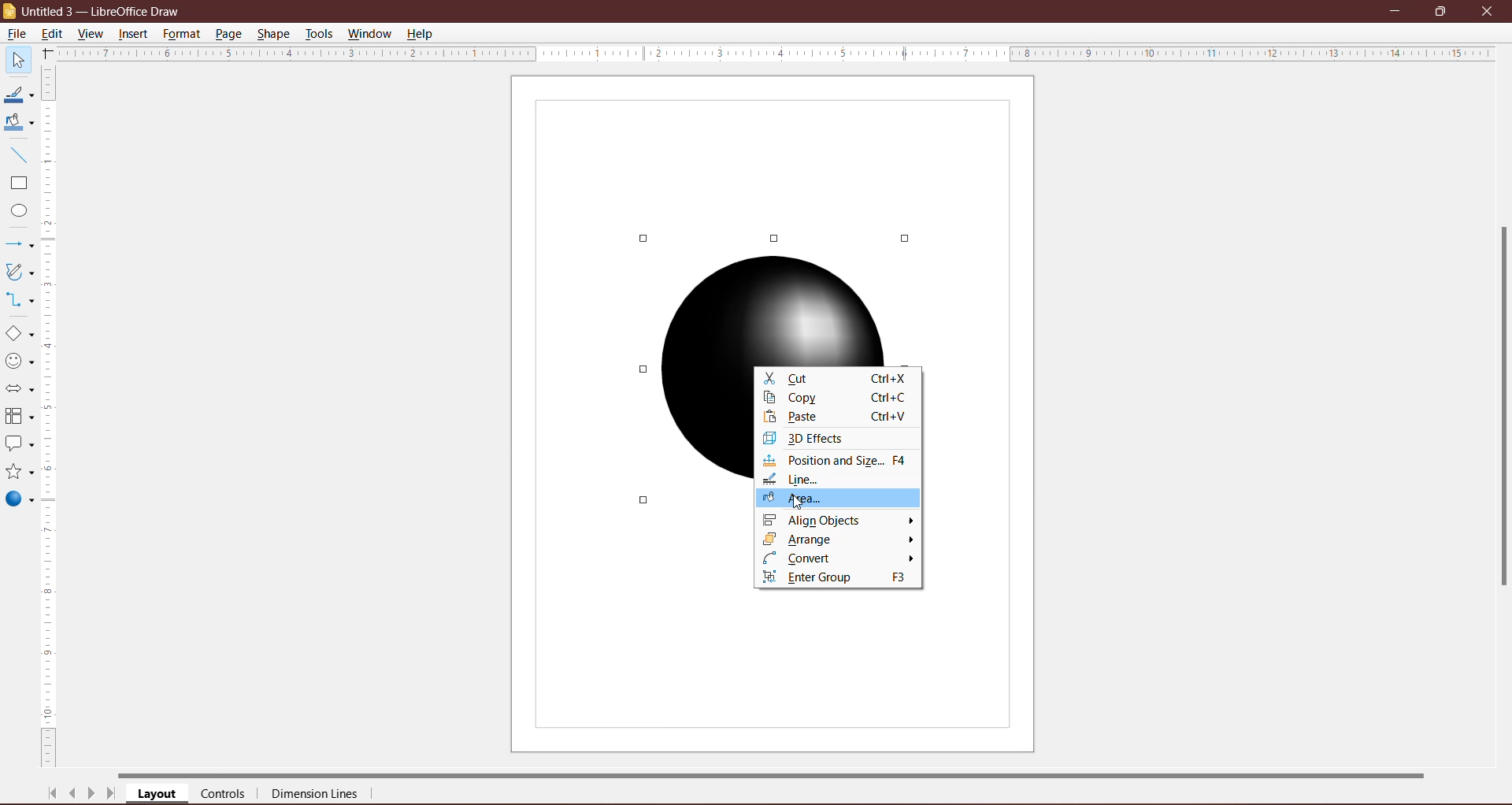 The width and height of the screenshot is (1512, 805). What do you see at coordinates (801, 500) in the screenshot?
I see `Cursor` at bounding box center [801, 500].